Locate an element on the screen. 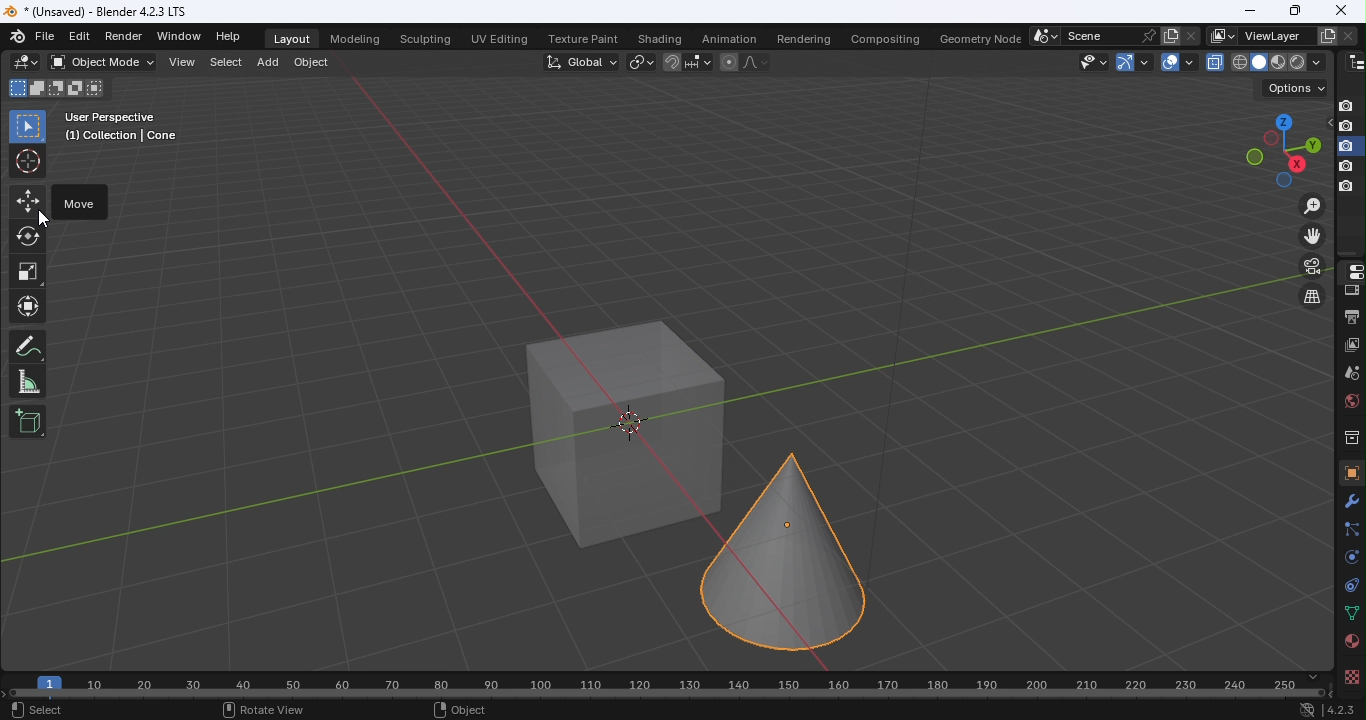 The height and width of the screenshot is (720, 1366). Proportional editing falloff is located at coordinates (757, 64).